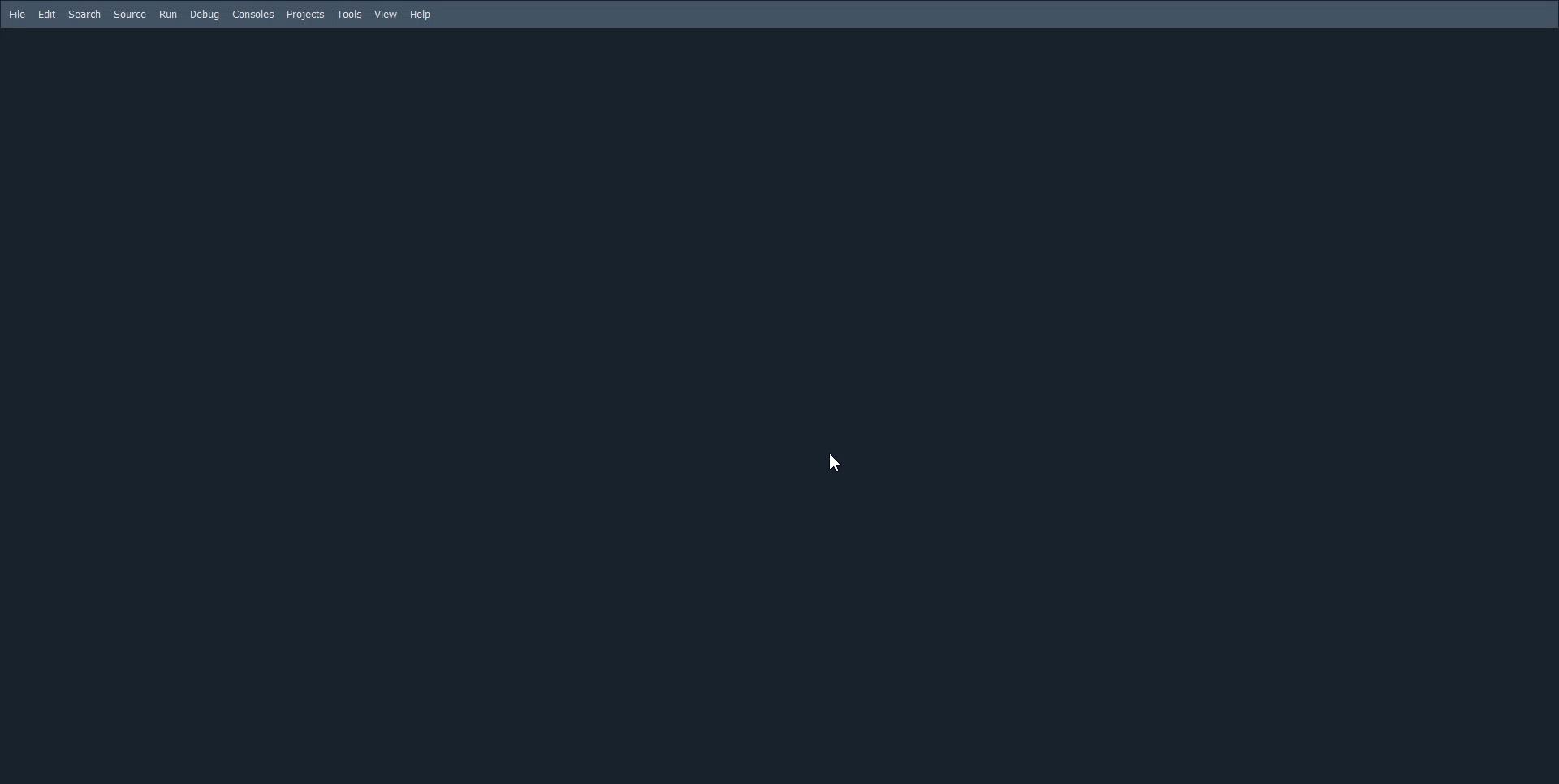  I want to click on Search, so click(84, 14).